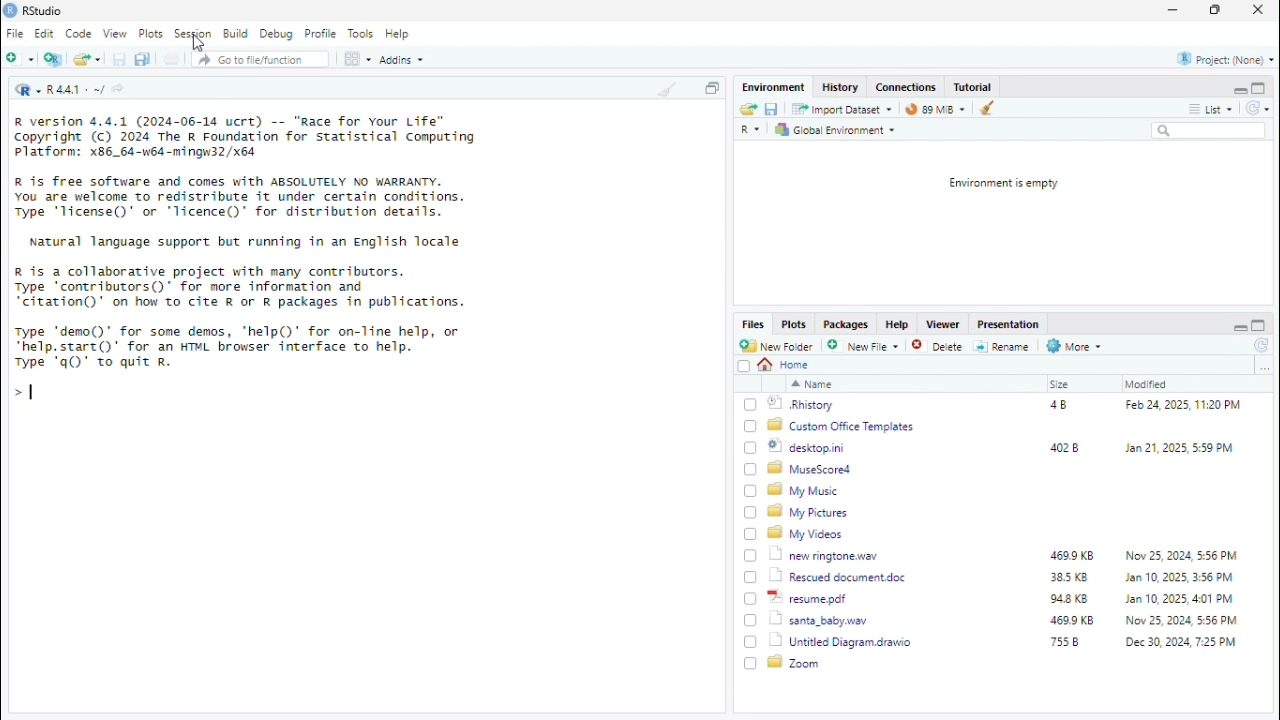  What do you see at coordinates (907, 86) in the screenshot?
I see `Connections` at bounding box center [907, 86].